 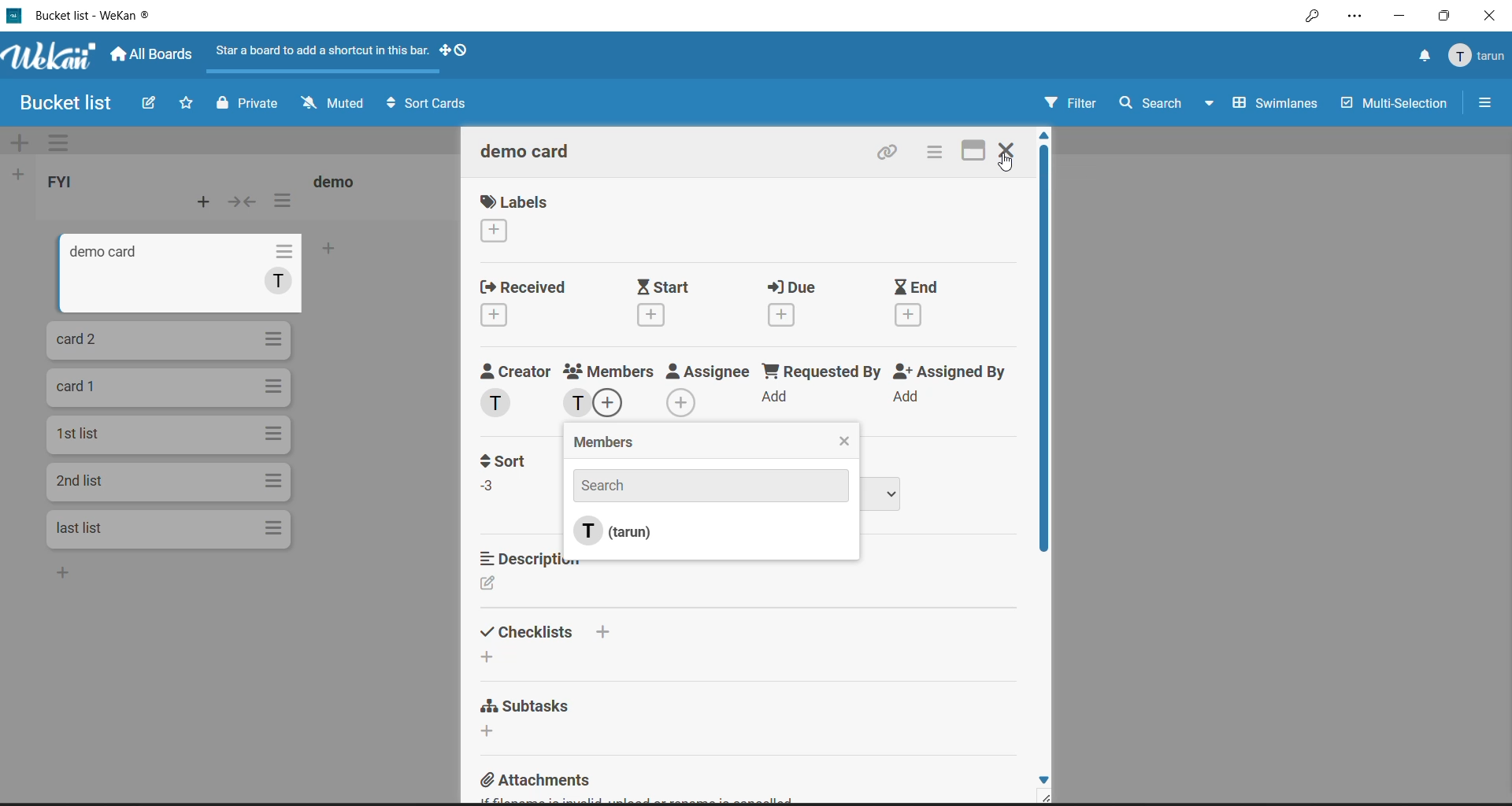 I want to click on close card, so click(x=1007, y=150).